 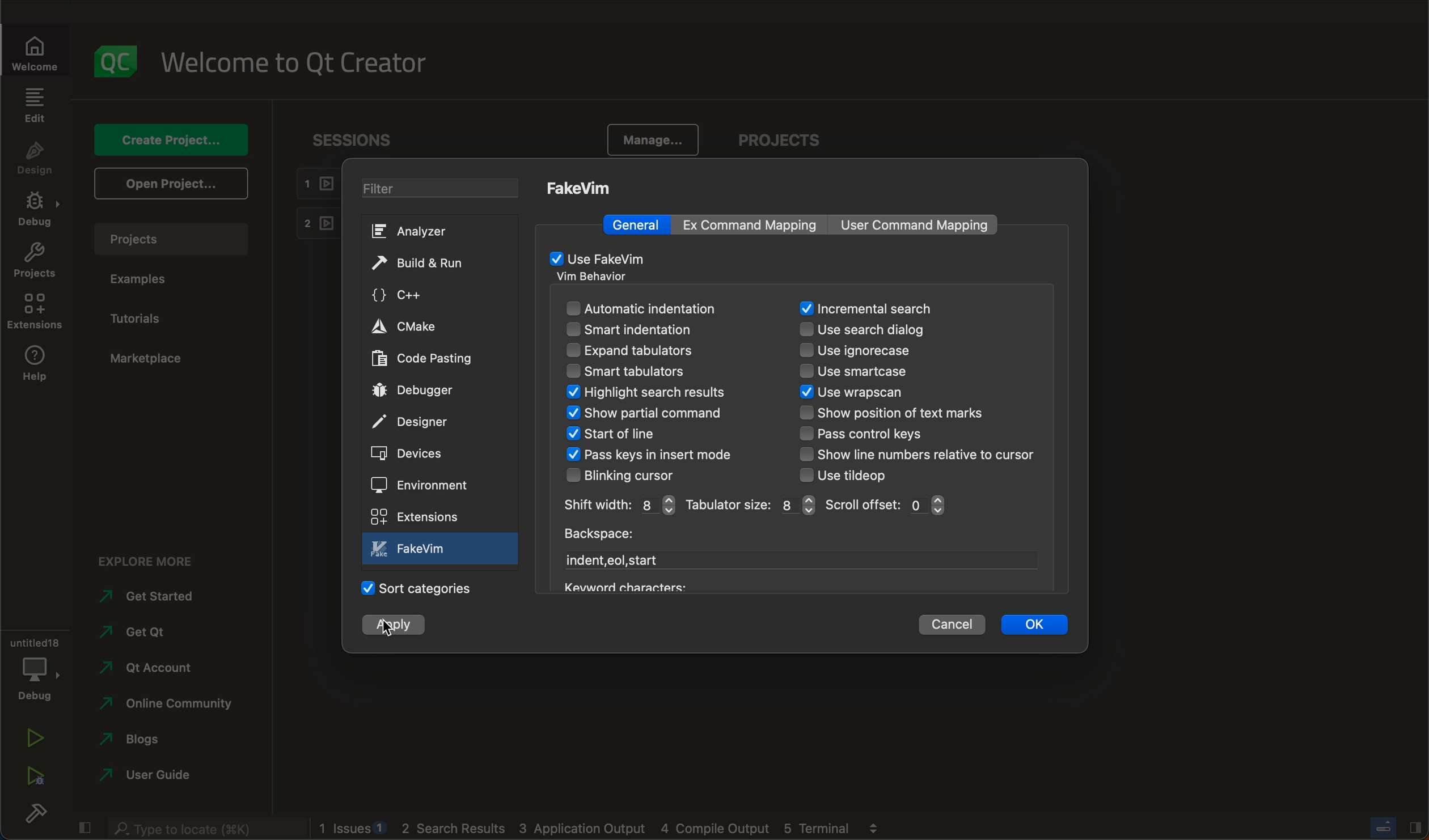 What do you see at coordinates (424, 232) in the screenshot?
I see `analyzer` at bounding box center [424, 232].